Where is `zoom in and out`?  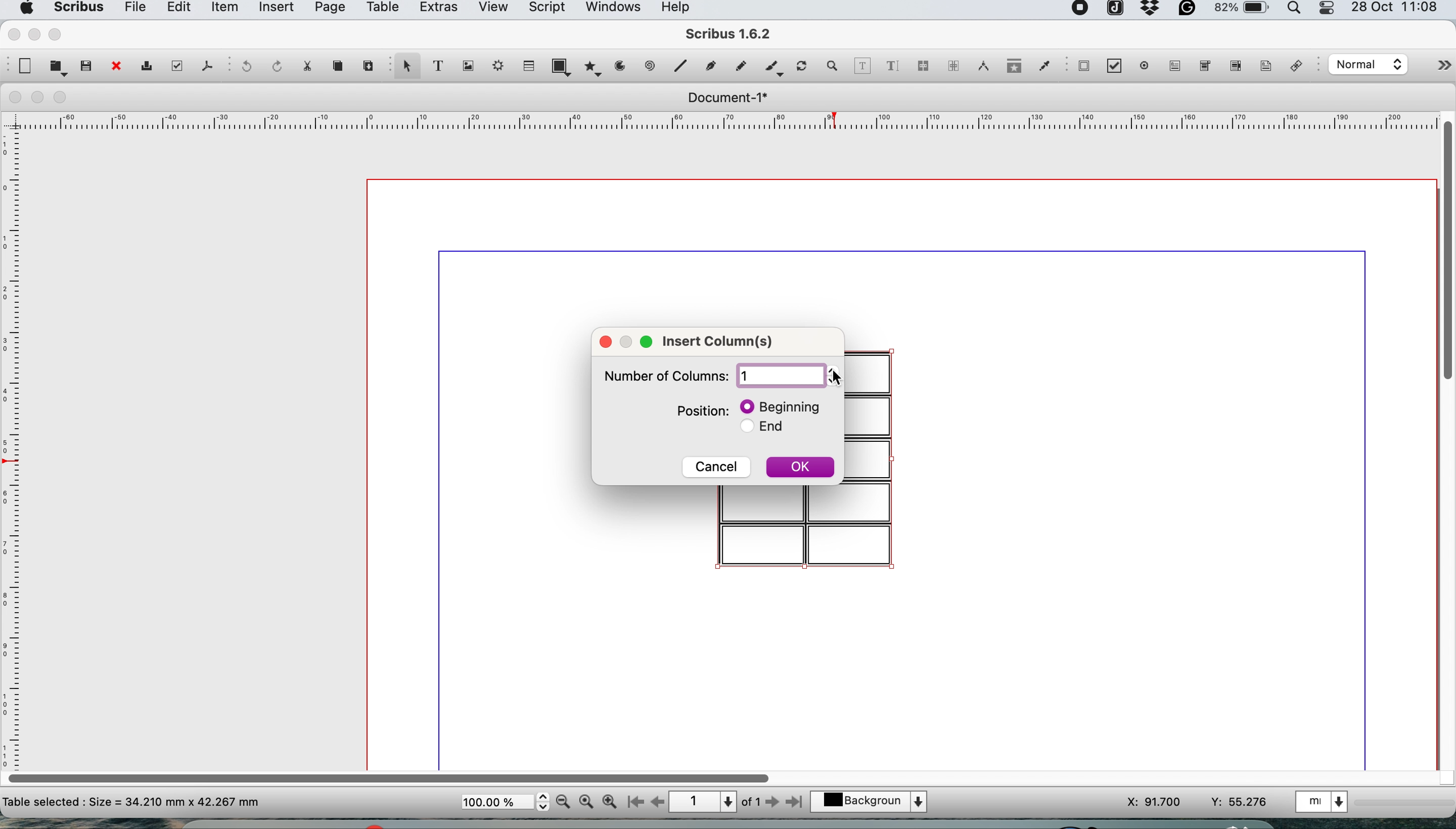
zoom in and out is located at coordinates (833, 66).